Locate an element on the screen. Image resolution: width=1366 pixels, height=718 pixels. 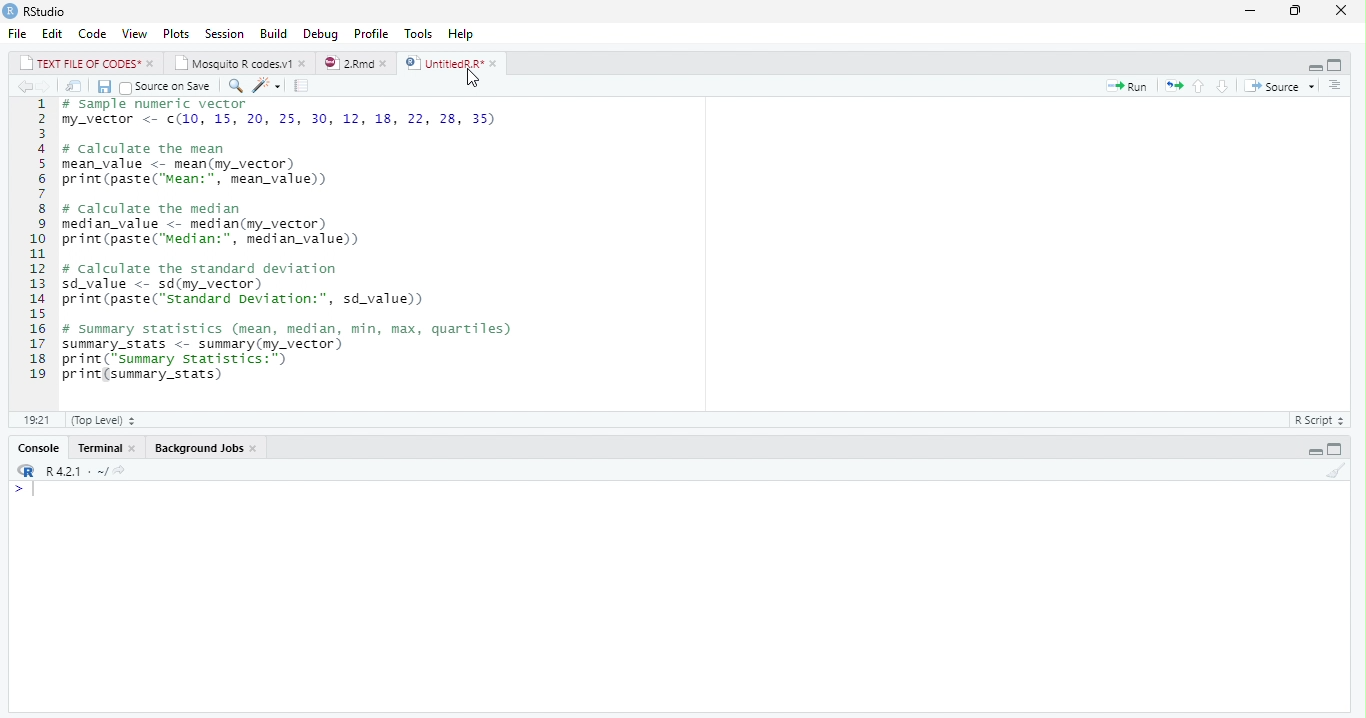
build is located at coordinates (274, 35).